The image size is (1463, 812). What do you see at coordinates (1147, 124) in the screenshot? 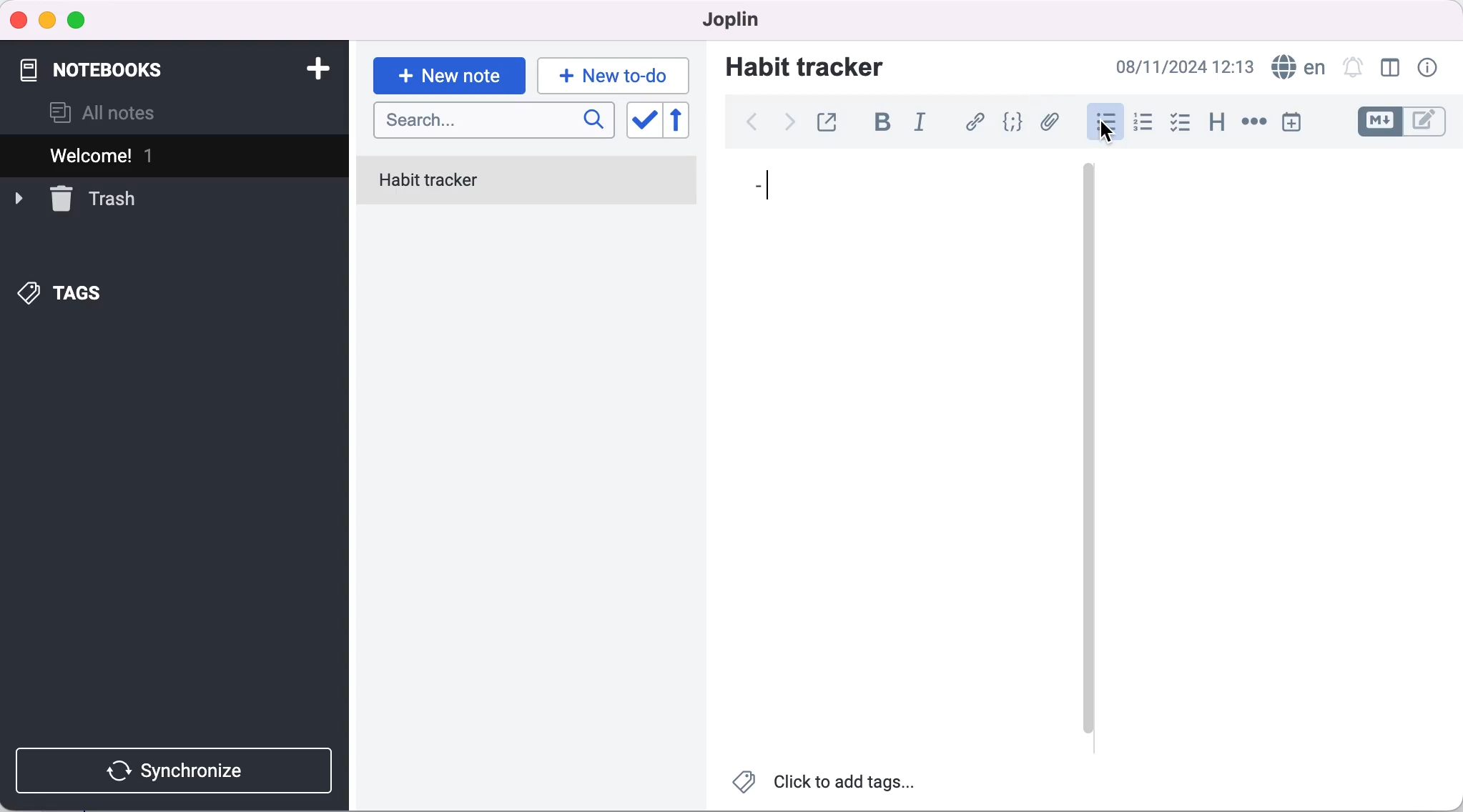
I see `numbered list` at bounding box center [1147, 124].